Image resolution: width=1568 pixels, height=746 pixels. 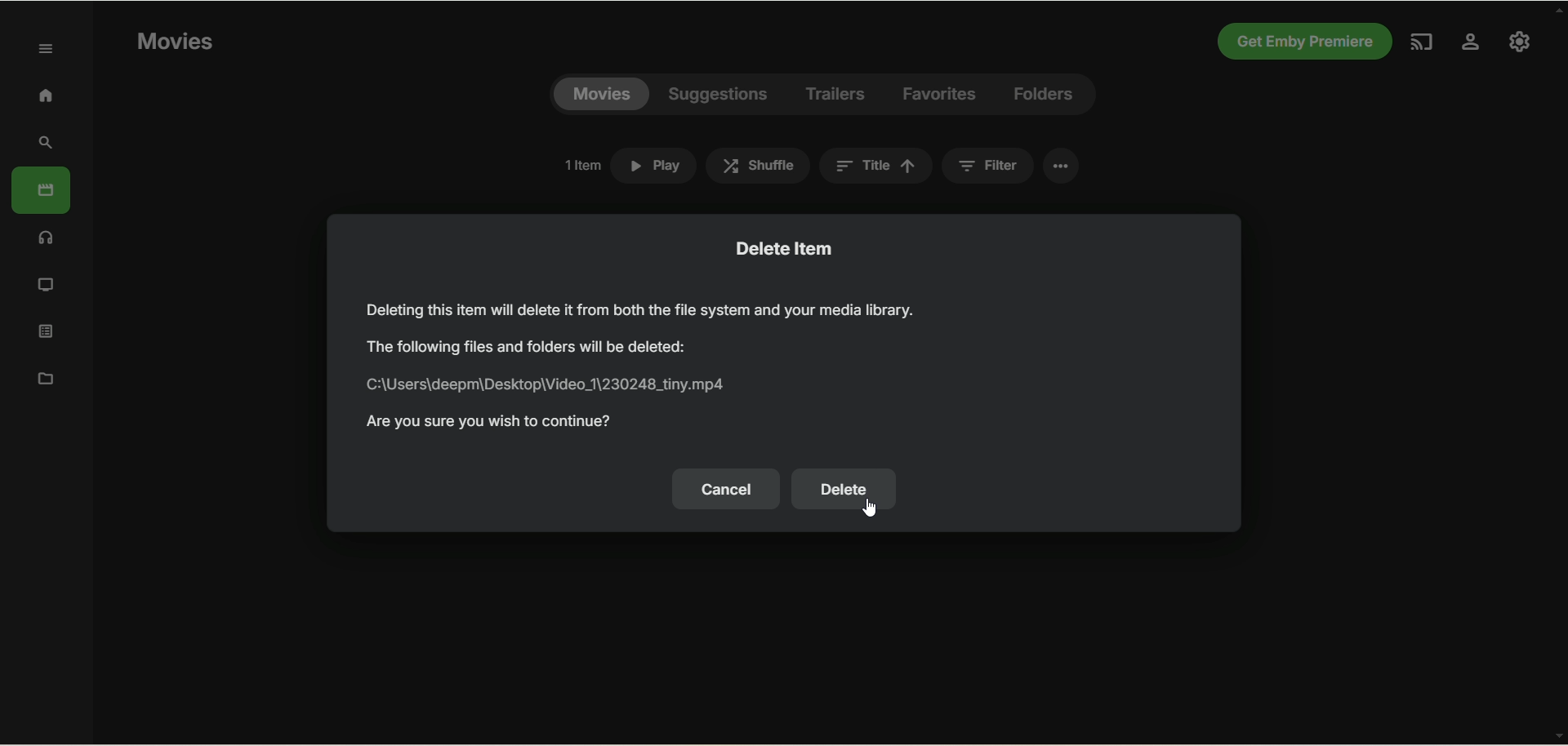 I want to click on movies, so click(x=41, y=190).